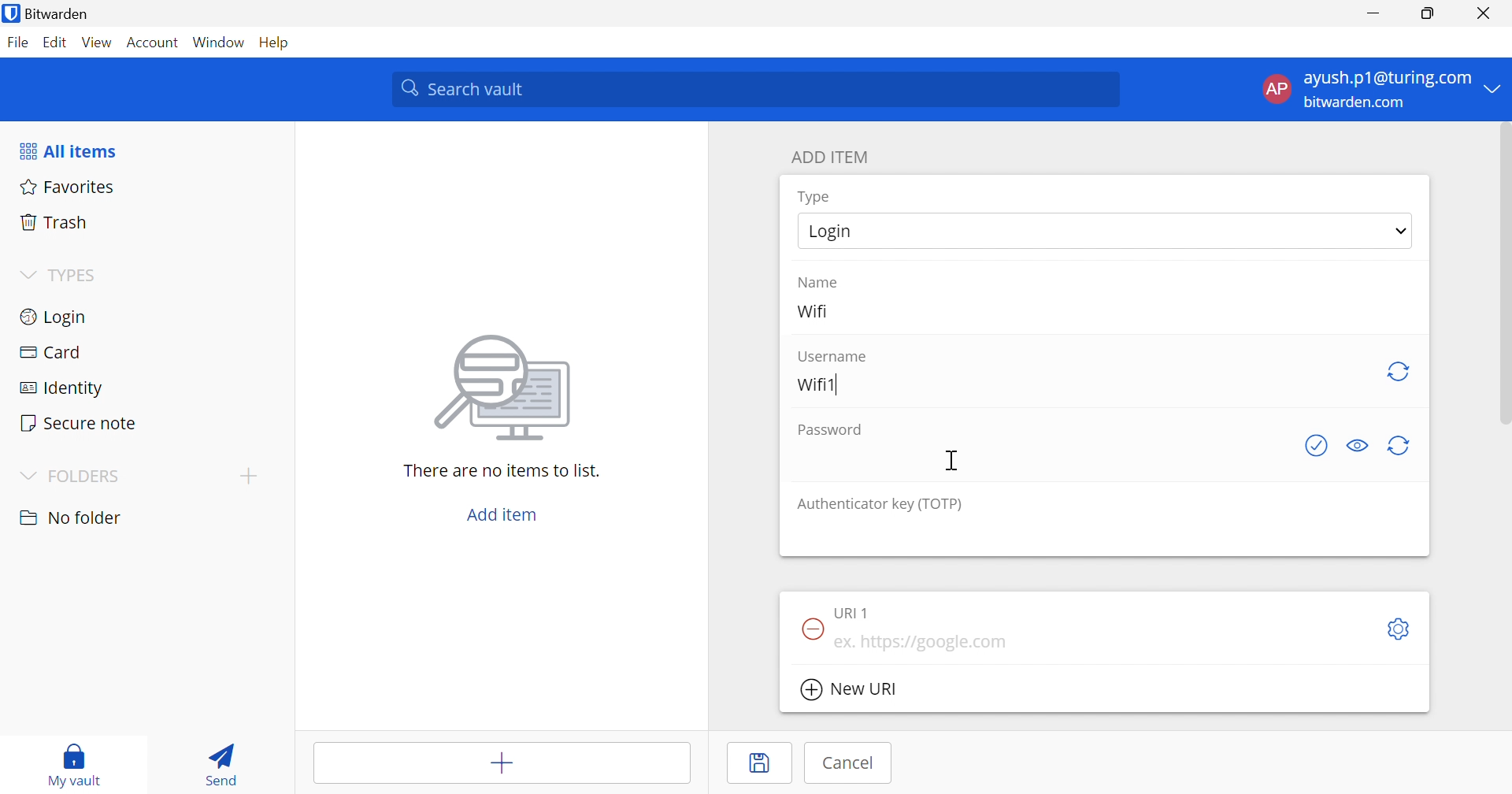 The height and width of the screenshot is (794, 1512). What do you see at coordinates (25, 477) in the screenshot?
I see `Drop Down` at bounding box center [25, 477].